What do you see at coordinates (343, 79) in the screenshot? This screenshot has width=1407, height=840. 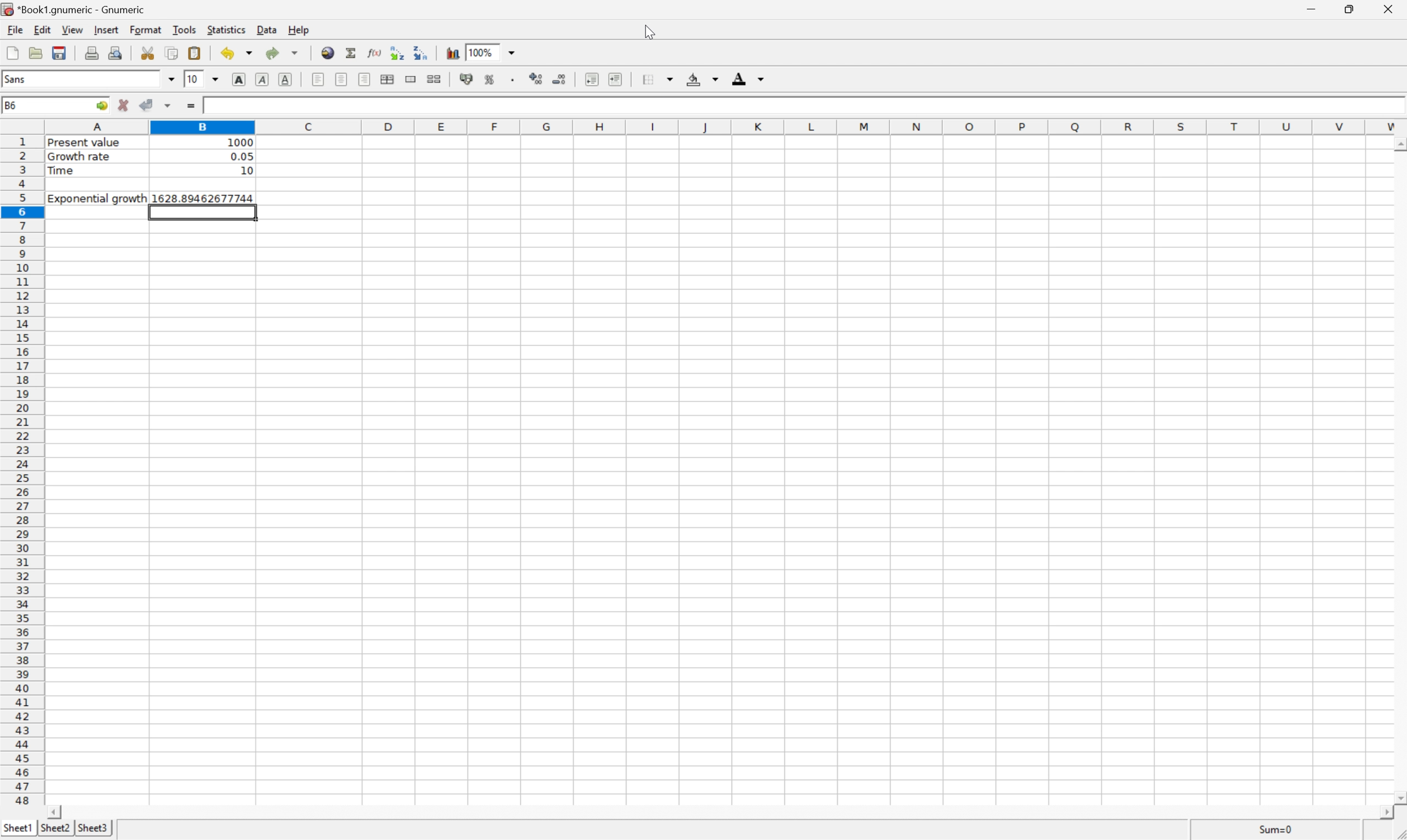 I see `Center horizontally` at bounding box center [343, 79].